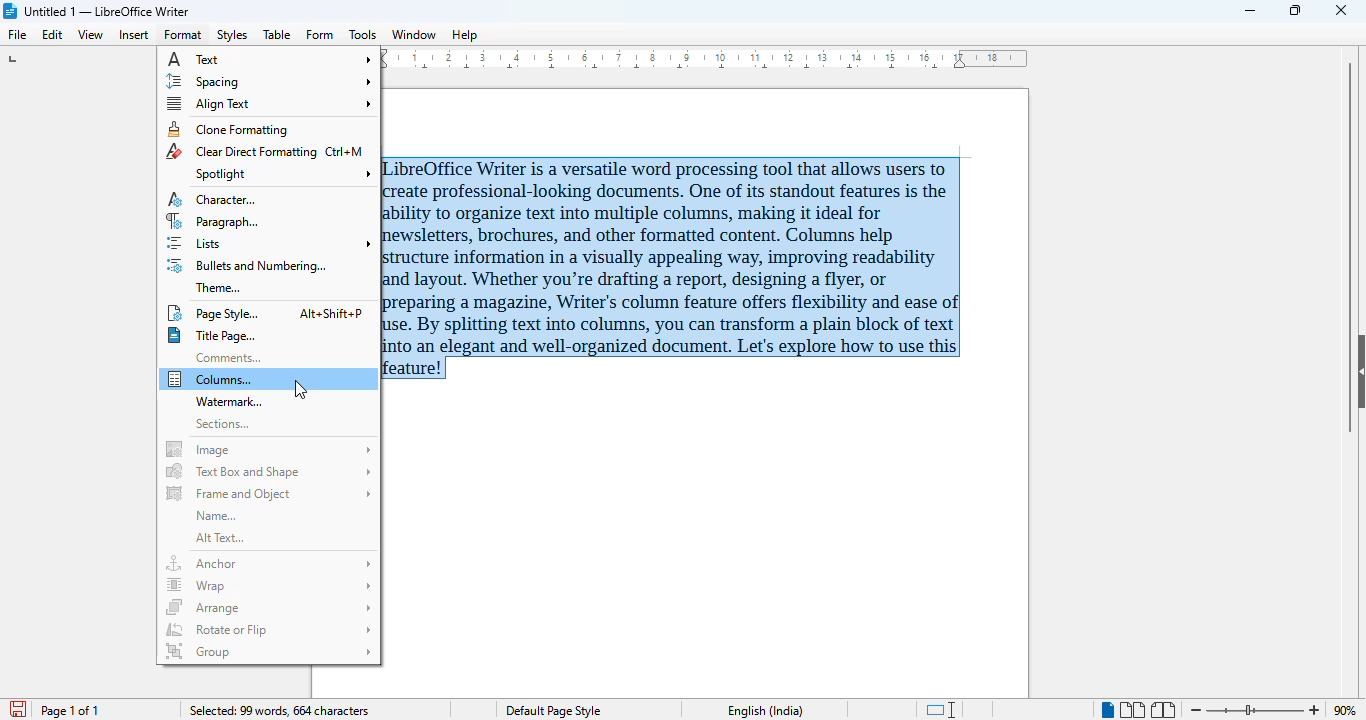 The image size is (1366, 720). What do you see at coordinates (269, 379) in the screenshot?
I see `columns` at bounding box center [269, 379].